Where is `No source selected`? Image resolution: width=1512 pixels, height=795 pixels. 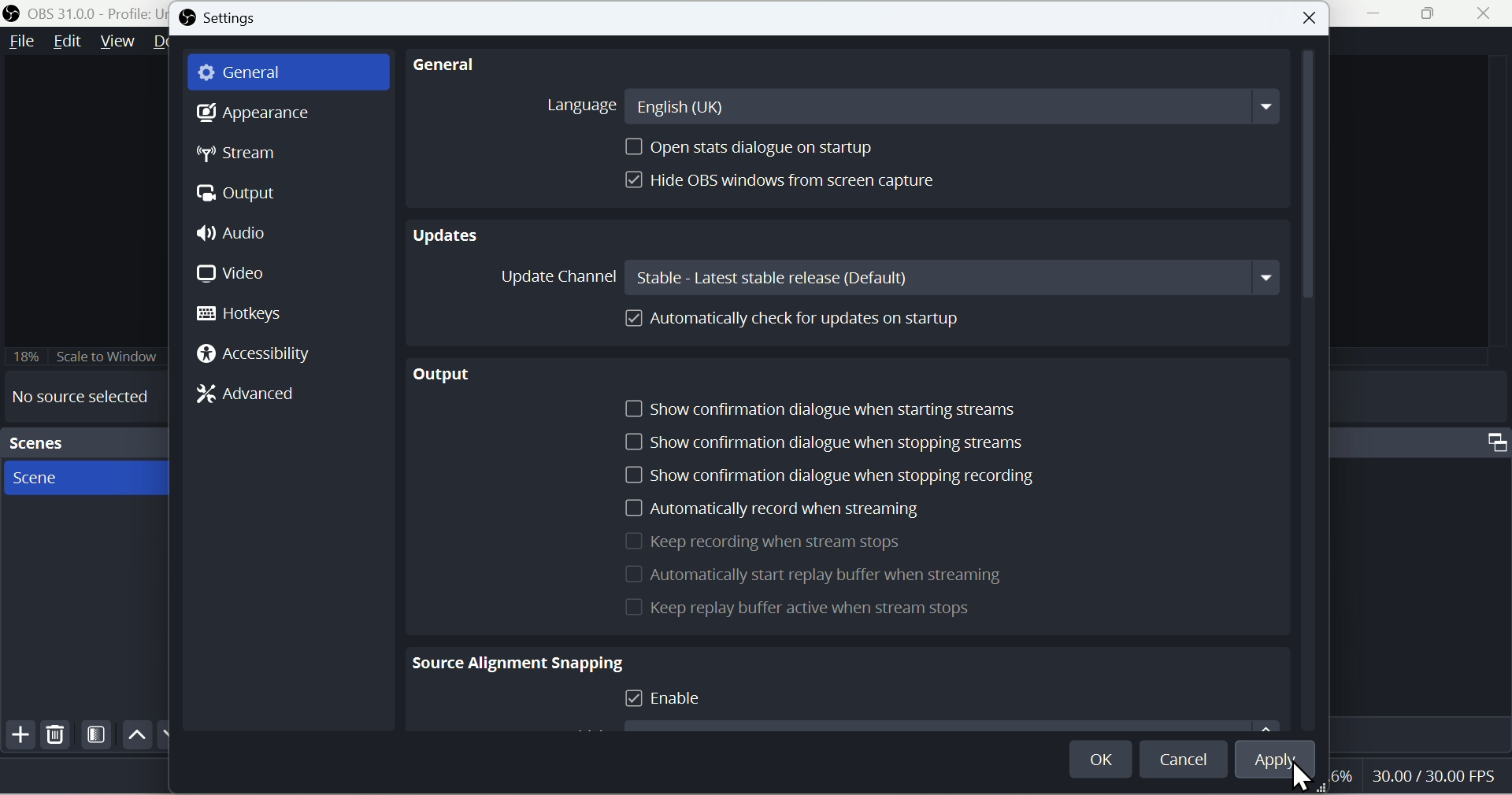 No source selected is located at coordinates (85, 398).